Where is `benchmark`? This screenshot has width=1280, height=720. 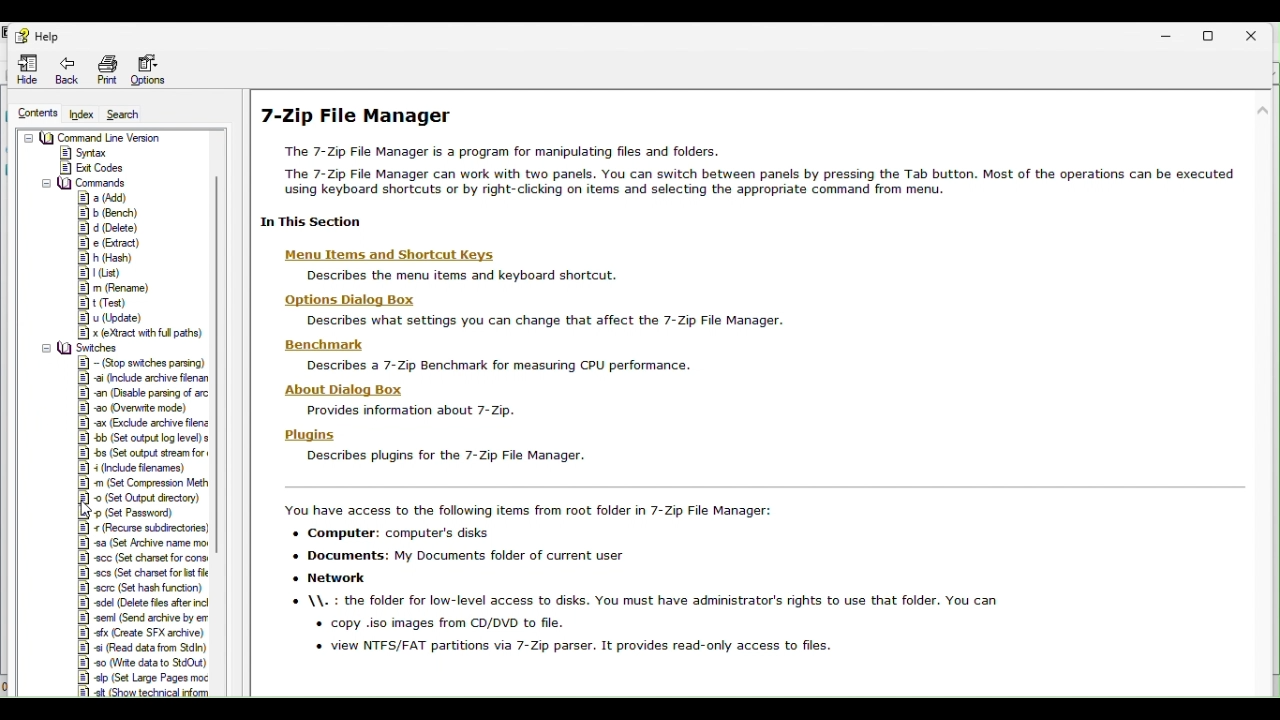
benchmark is located at coordinates (329, 346).